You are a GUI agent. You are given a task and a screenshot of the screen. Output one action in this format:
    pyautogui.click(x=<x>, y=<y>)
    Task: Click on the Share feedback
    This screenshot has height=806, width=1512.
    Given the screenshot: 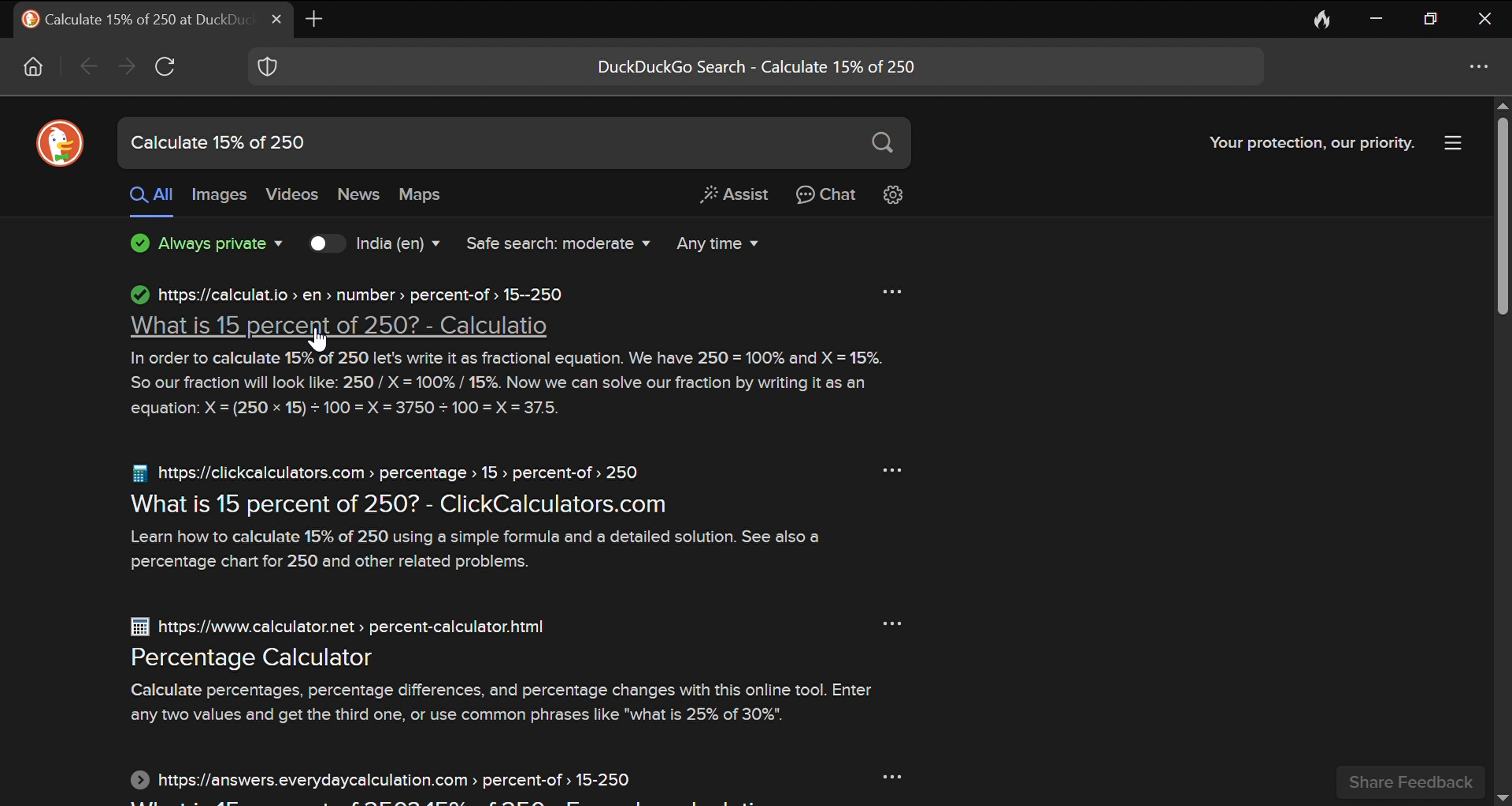 What is the action you would take?
    pyautogui.click(x=1410, y=783)
    